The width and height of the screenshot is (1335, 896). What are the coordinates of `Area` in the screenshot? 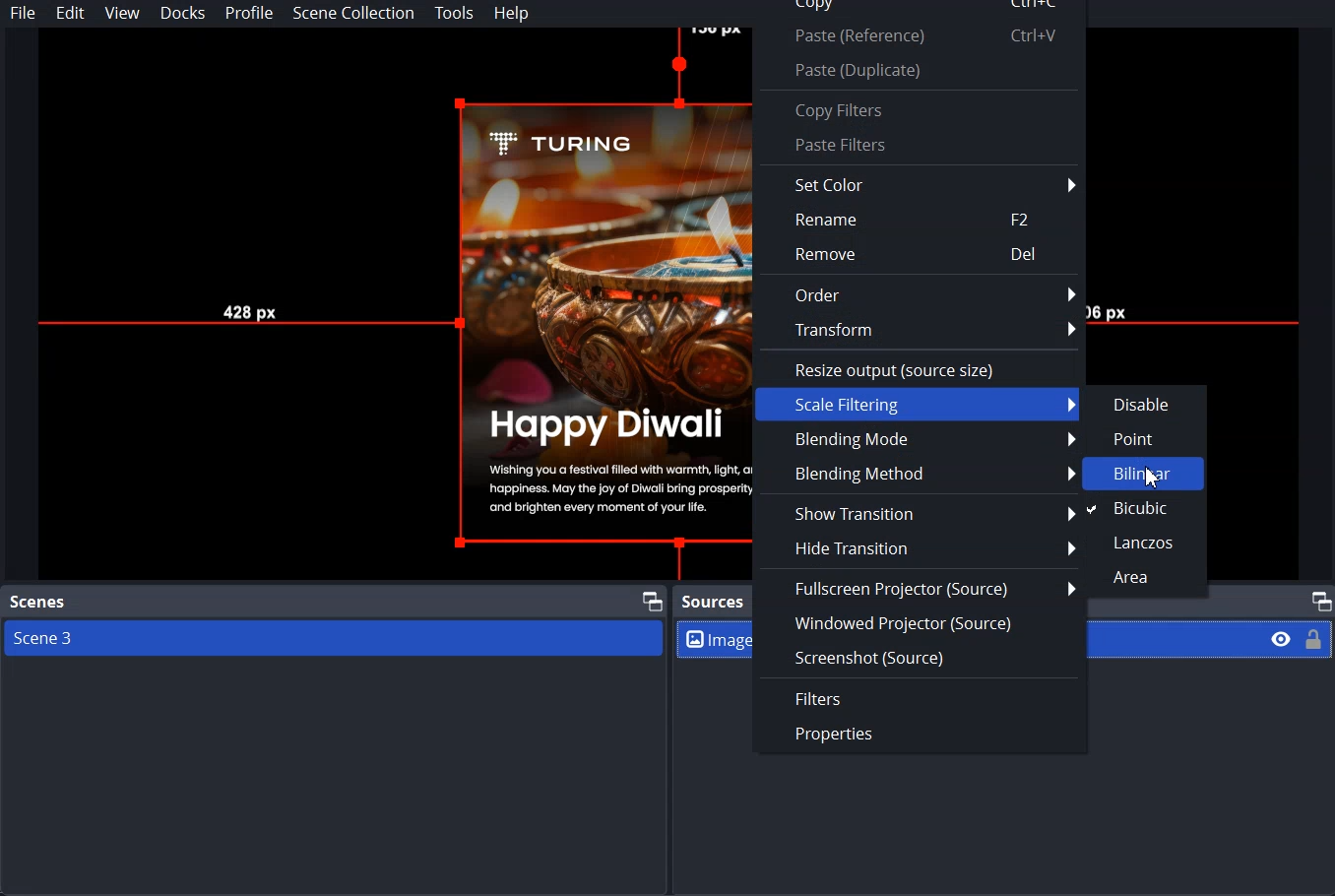 It's located at (1143, 576).